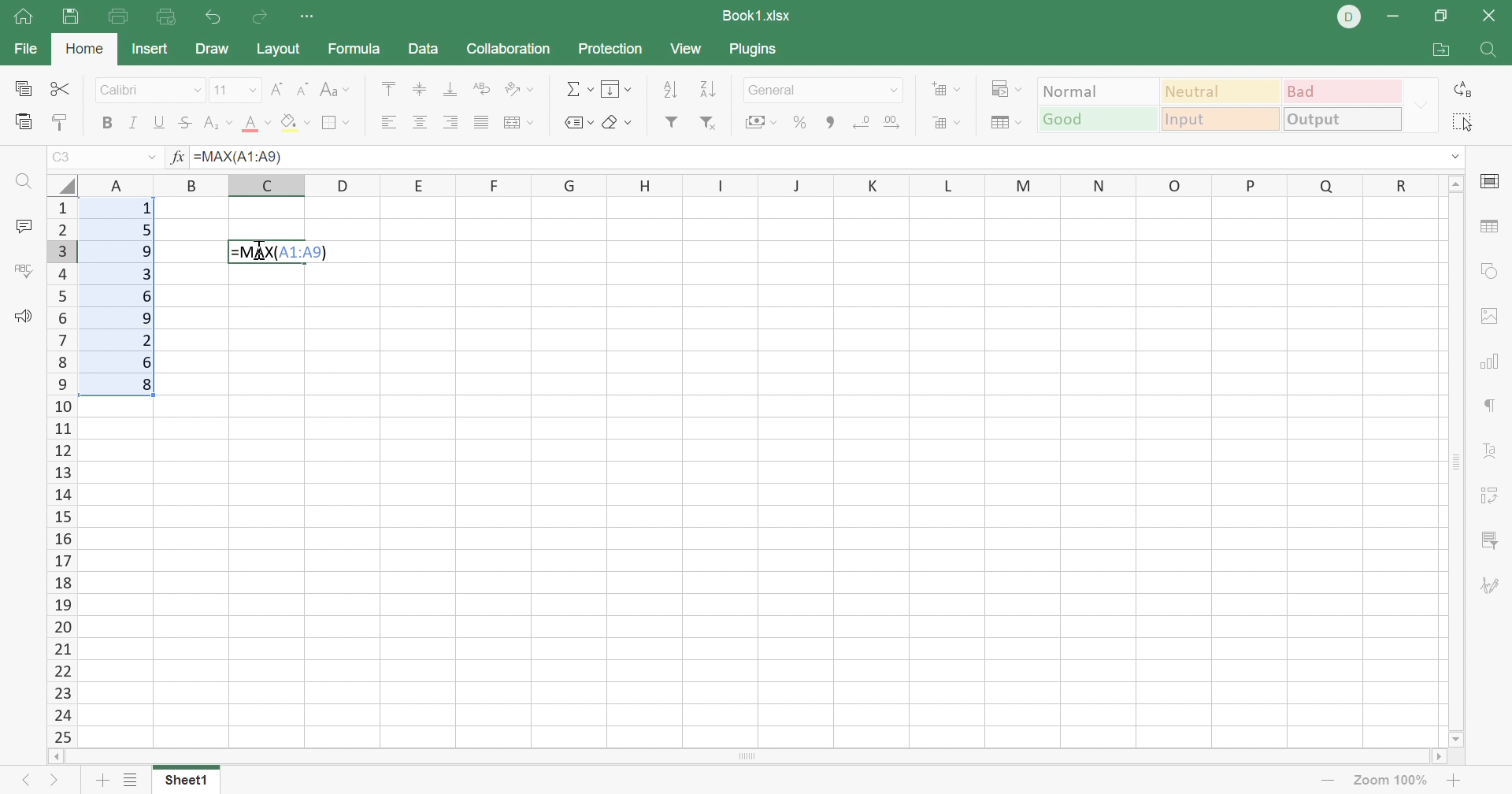 The height and width of the screenshot is (794, 1512). I want to click on Home, so click(23, 21).